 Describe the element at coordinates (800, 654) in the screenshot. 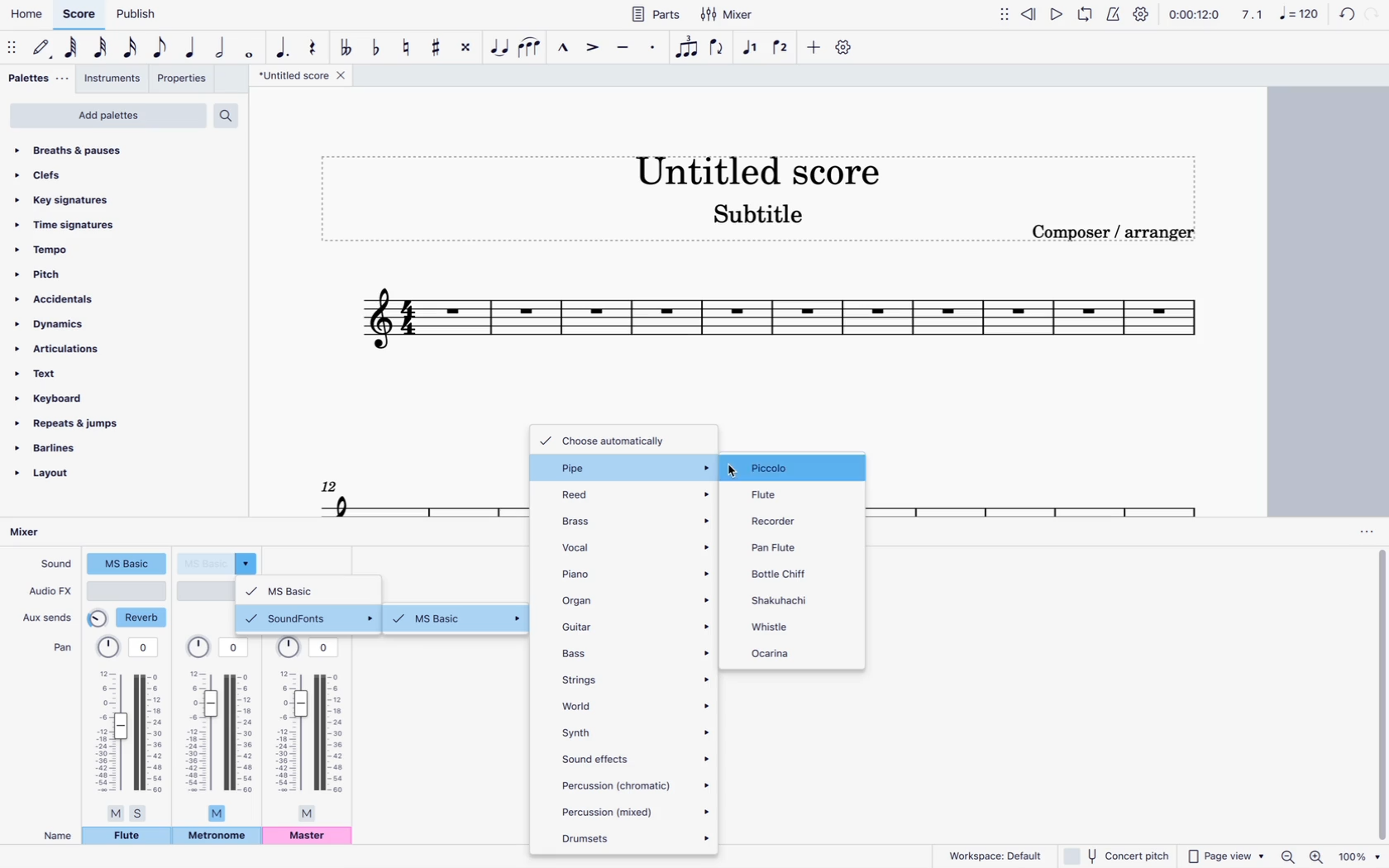

I see `ocarina` at that location.